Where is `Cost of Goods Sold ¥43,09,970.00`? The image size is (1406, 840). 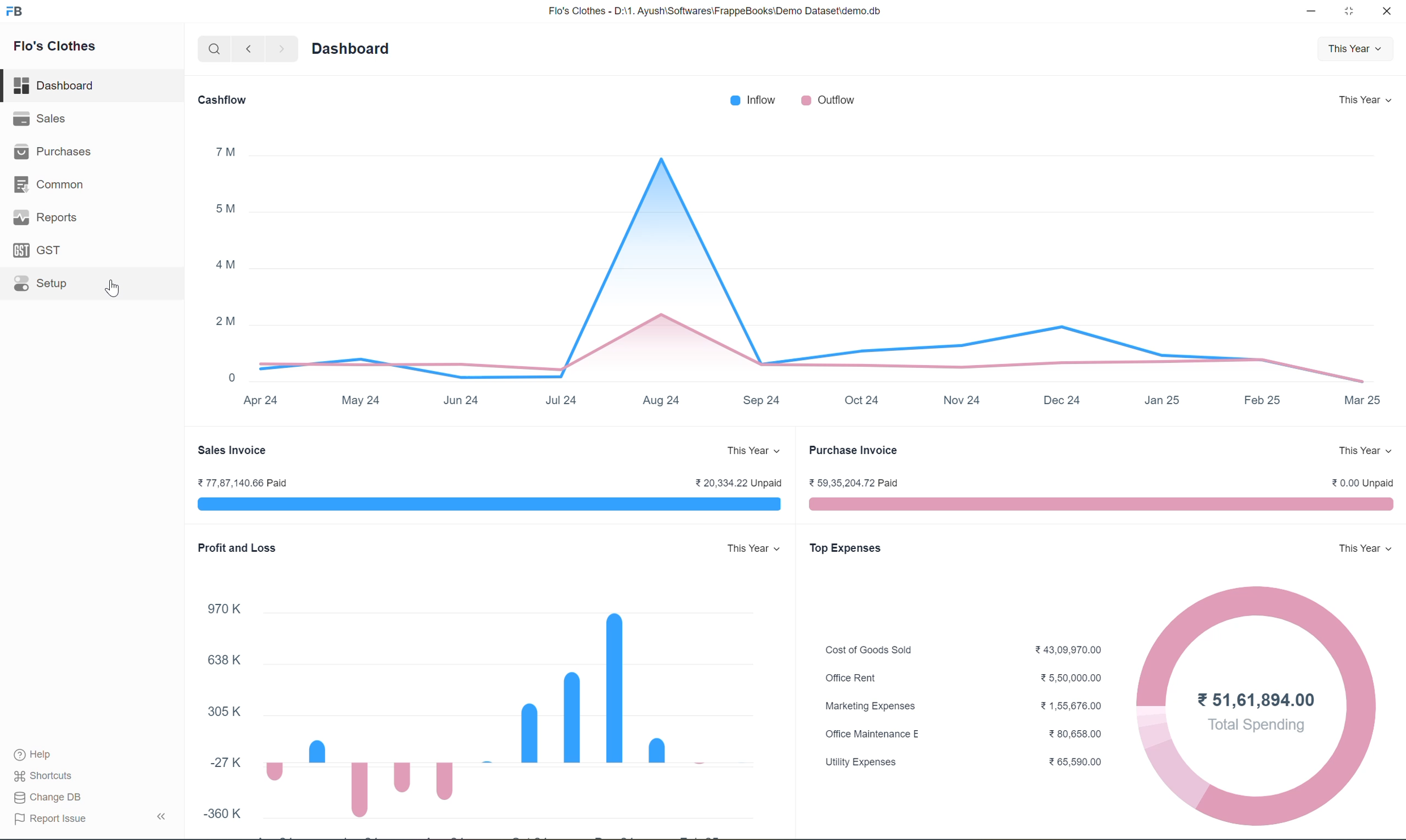 Cost of Goods Sold ¥43,09,970.00 is located at coordinates (963, 650).